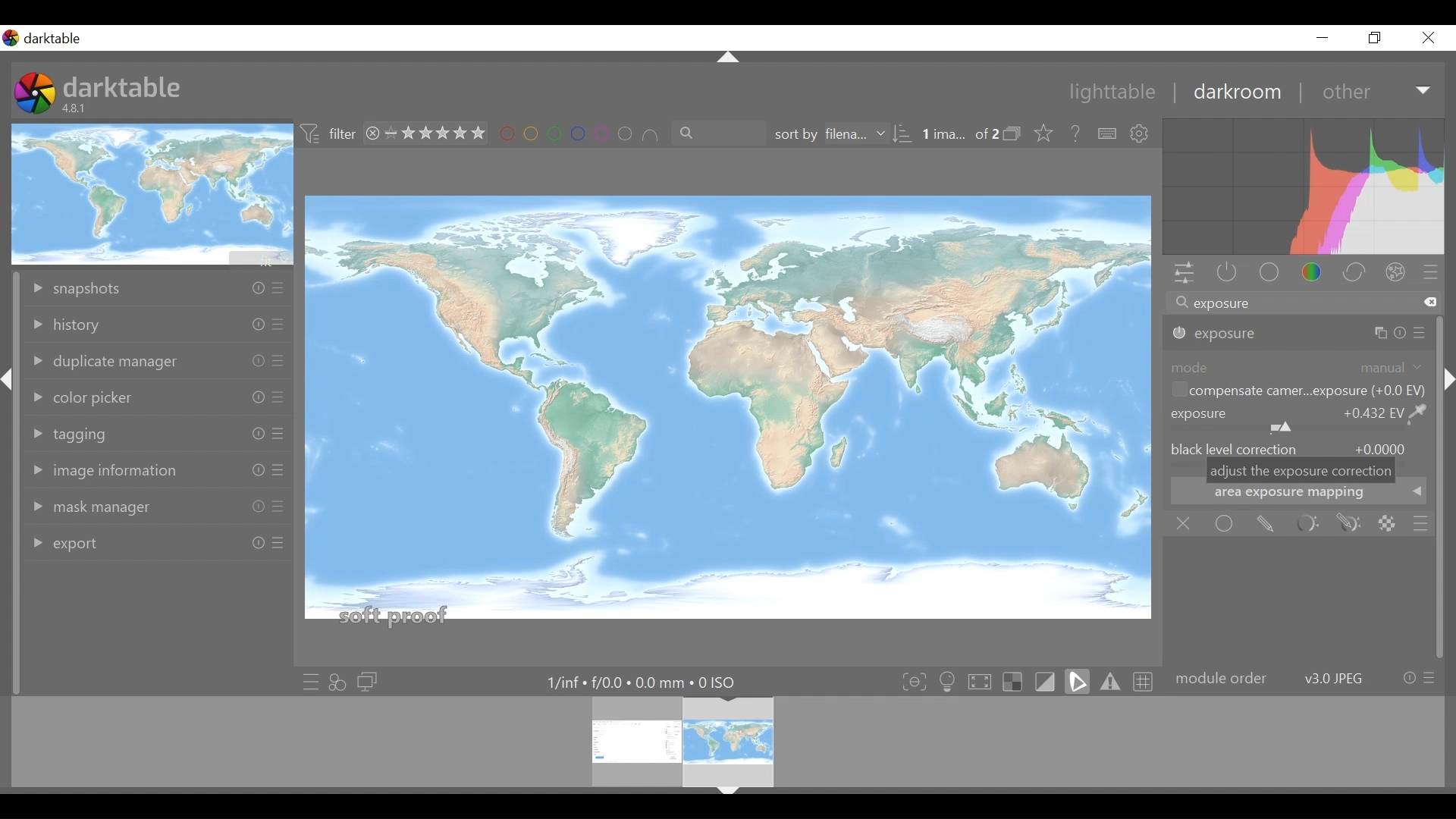 The image size is (1456, 819). Describe the element at coordinates (370, 682) in the screenshot. I see `display a second darkroom image` at that location.